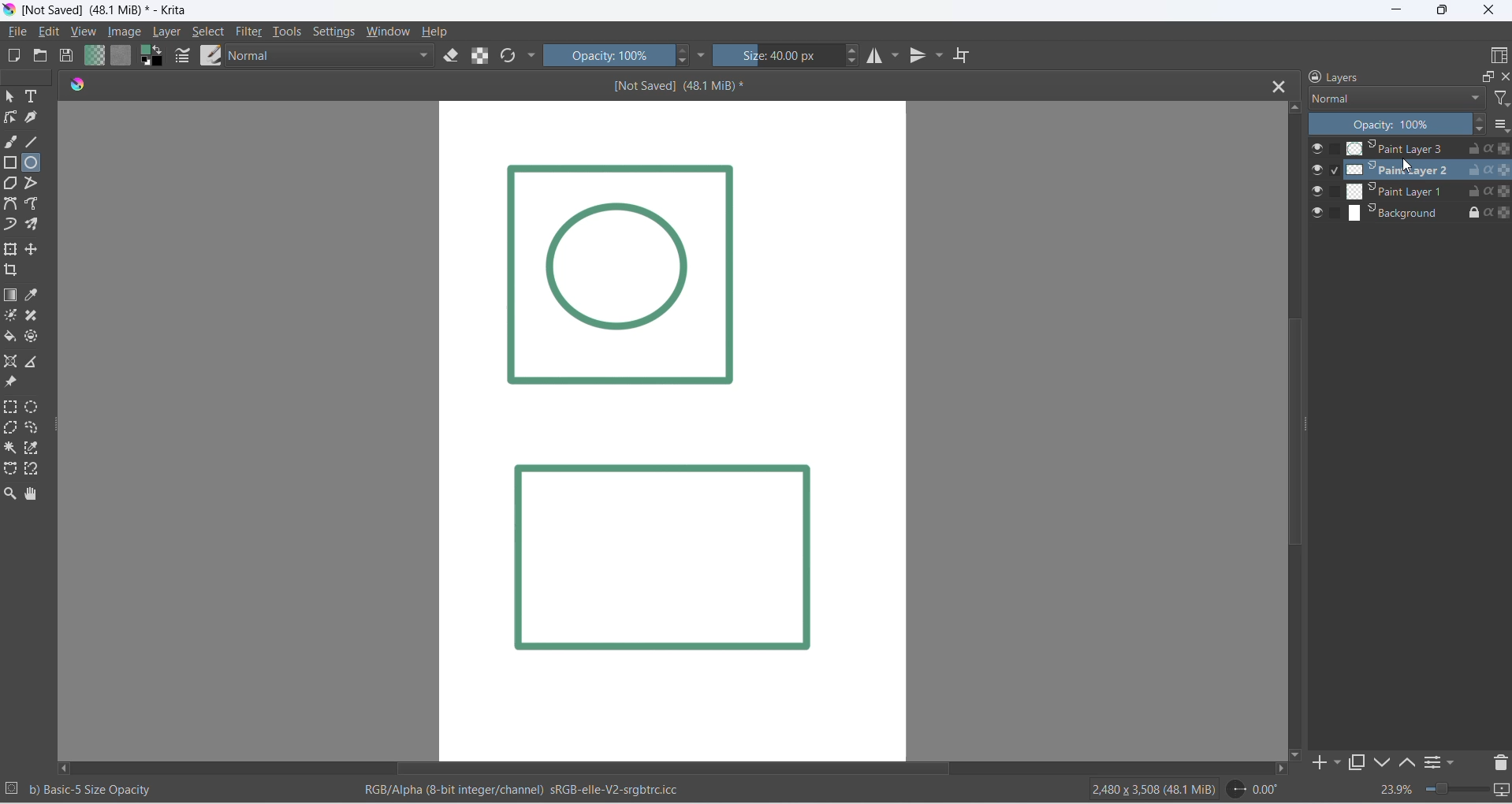  What do you see at coordinates (1279, 770) in the screenshot?
I see `move right` at bounding box center [1279, 770].